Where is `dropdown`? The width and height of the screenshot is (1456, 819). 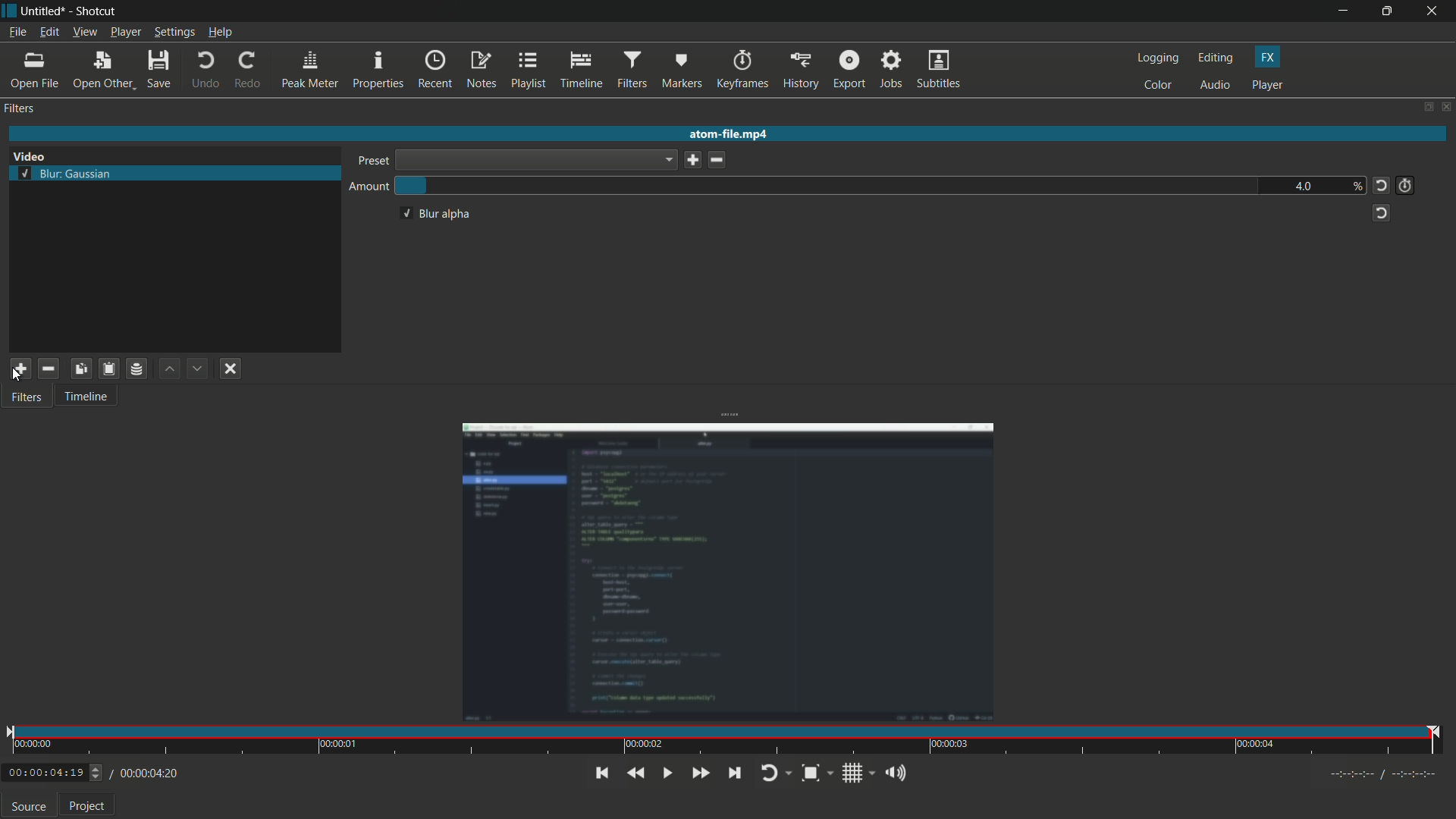 dropdown is located at coordinates (535, 160).